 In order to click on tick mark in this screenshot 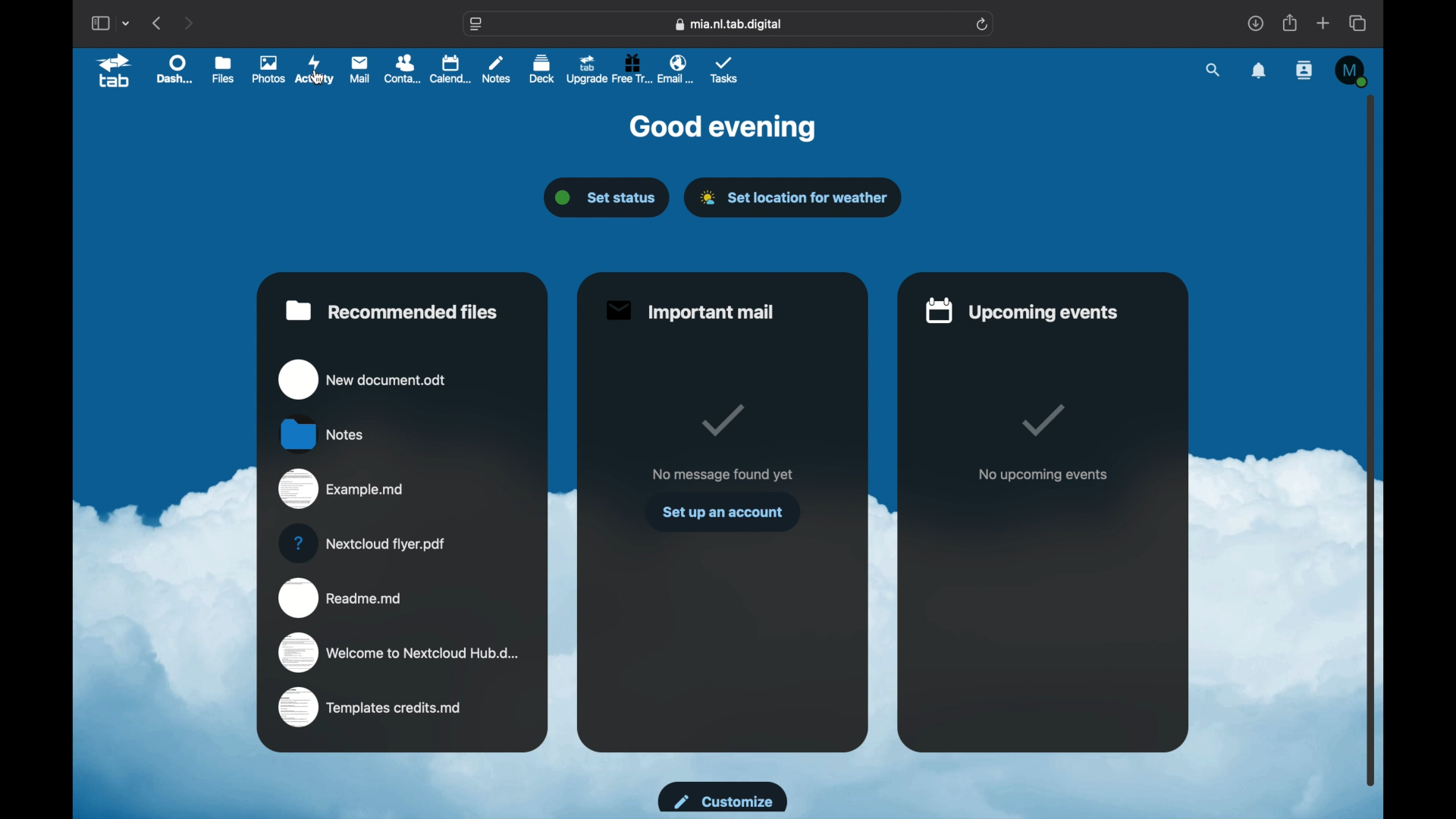, I will do `click(720, 419)`.